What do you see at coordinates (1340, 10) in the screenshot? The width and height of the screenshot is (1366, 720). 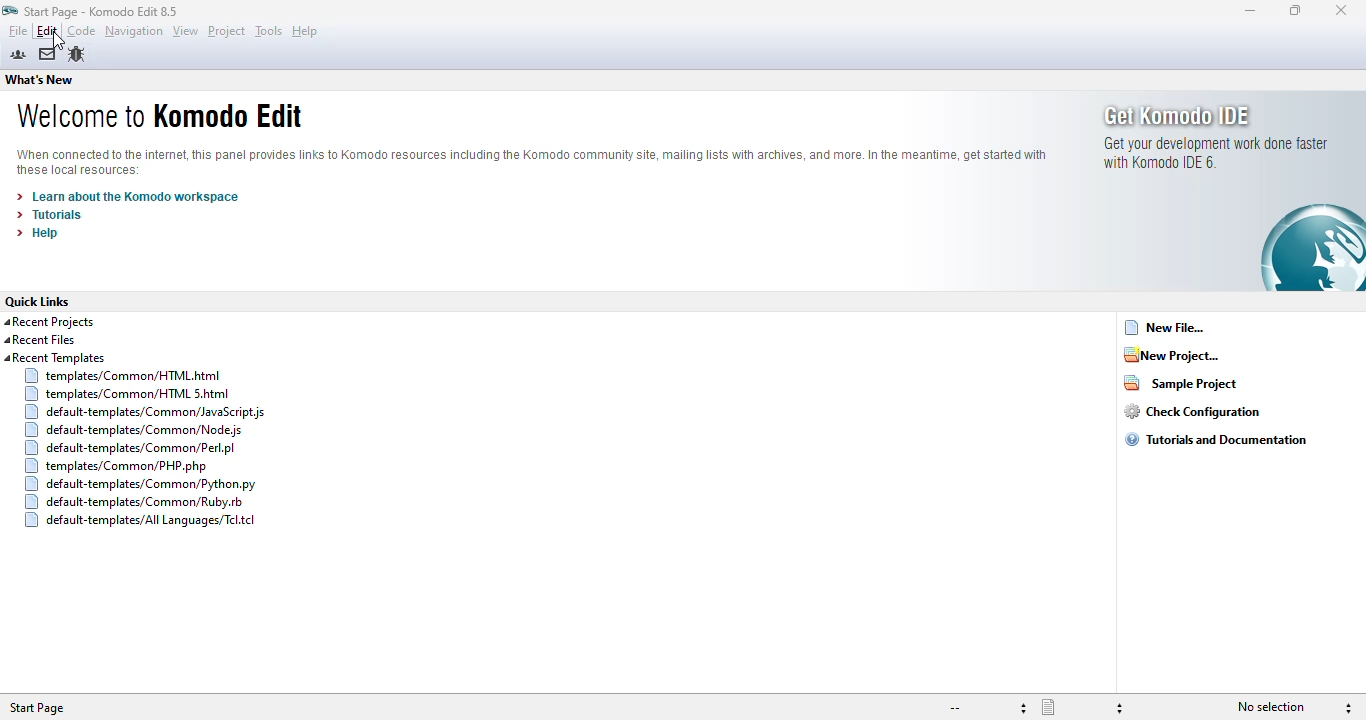 I see `close` at bounding box center [1340, 10].